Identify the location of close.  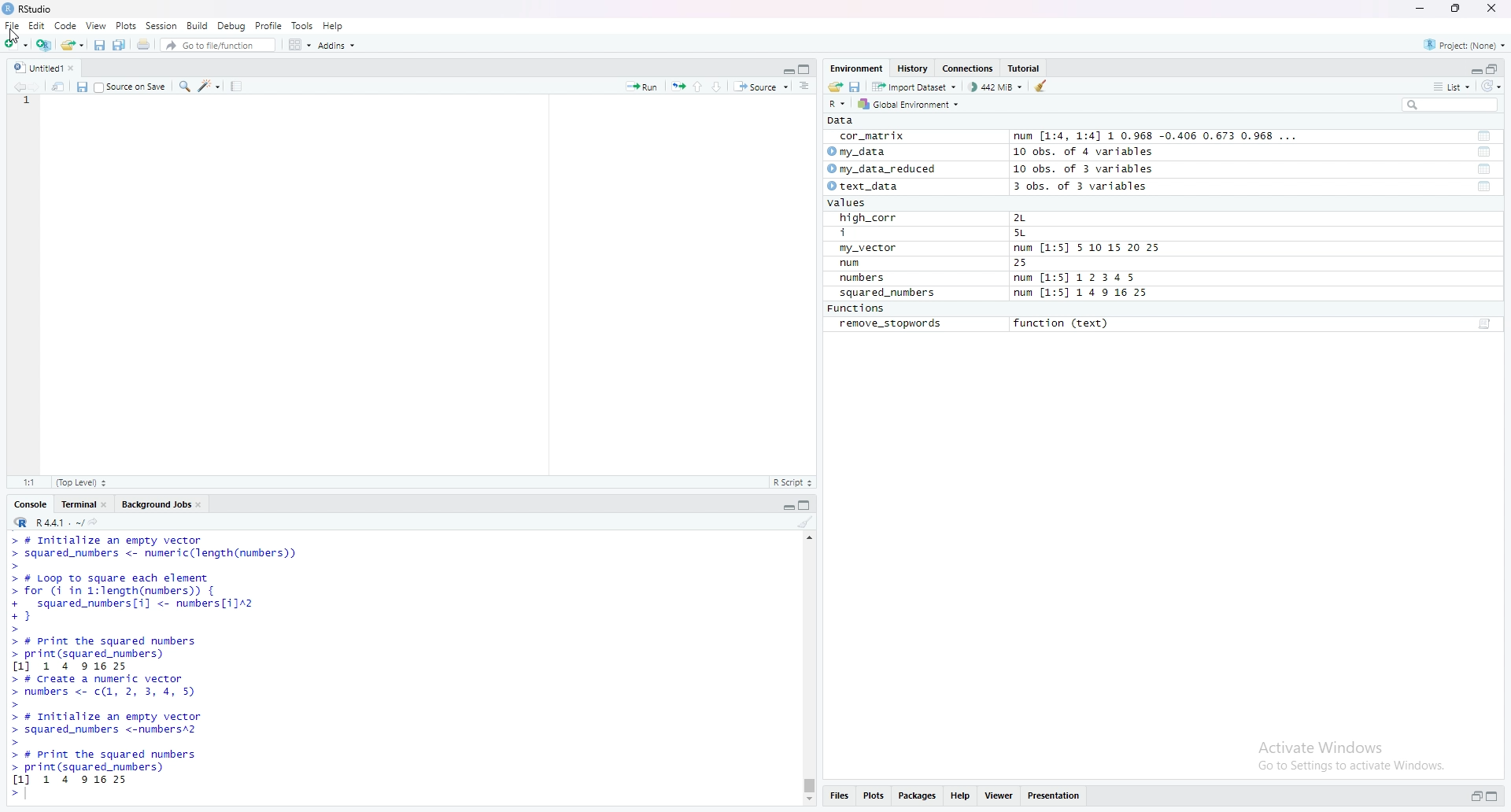
(107, 506).